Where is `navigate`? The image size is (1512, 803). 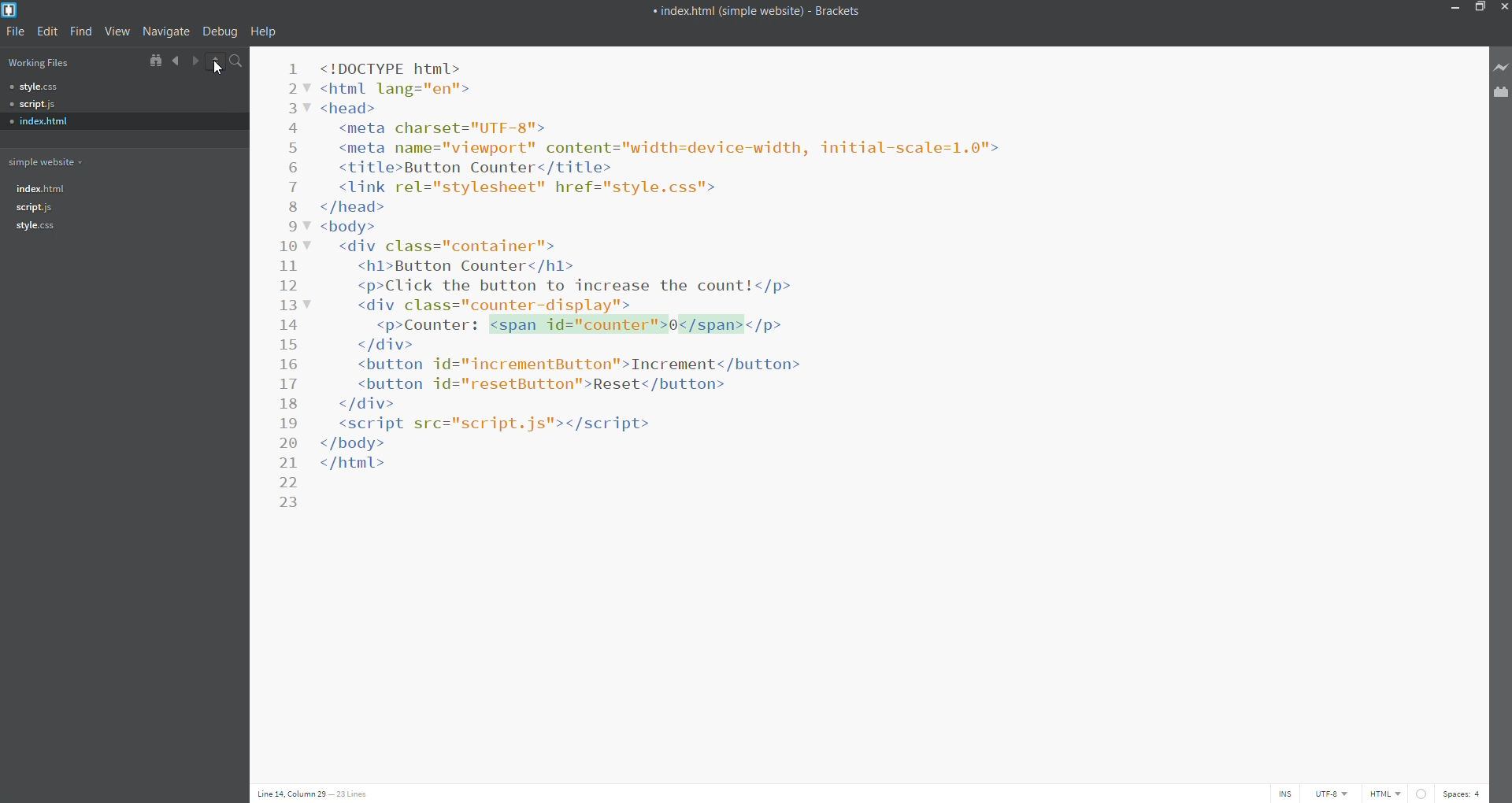 navigate is located at coordinates (169, 31).